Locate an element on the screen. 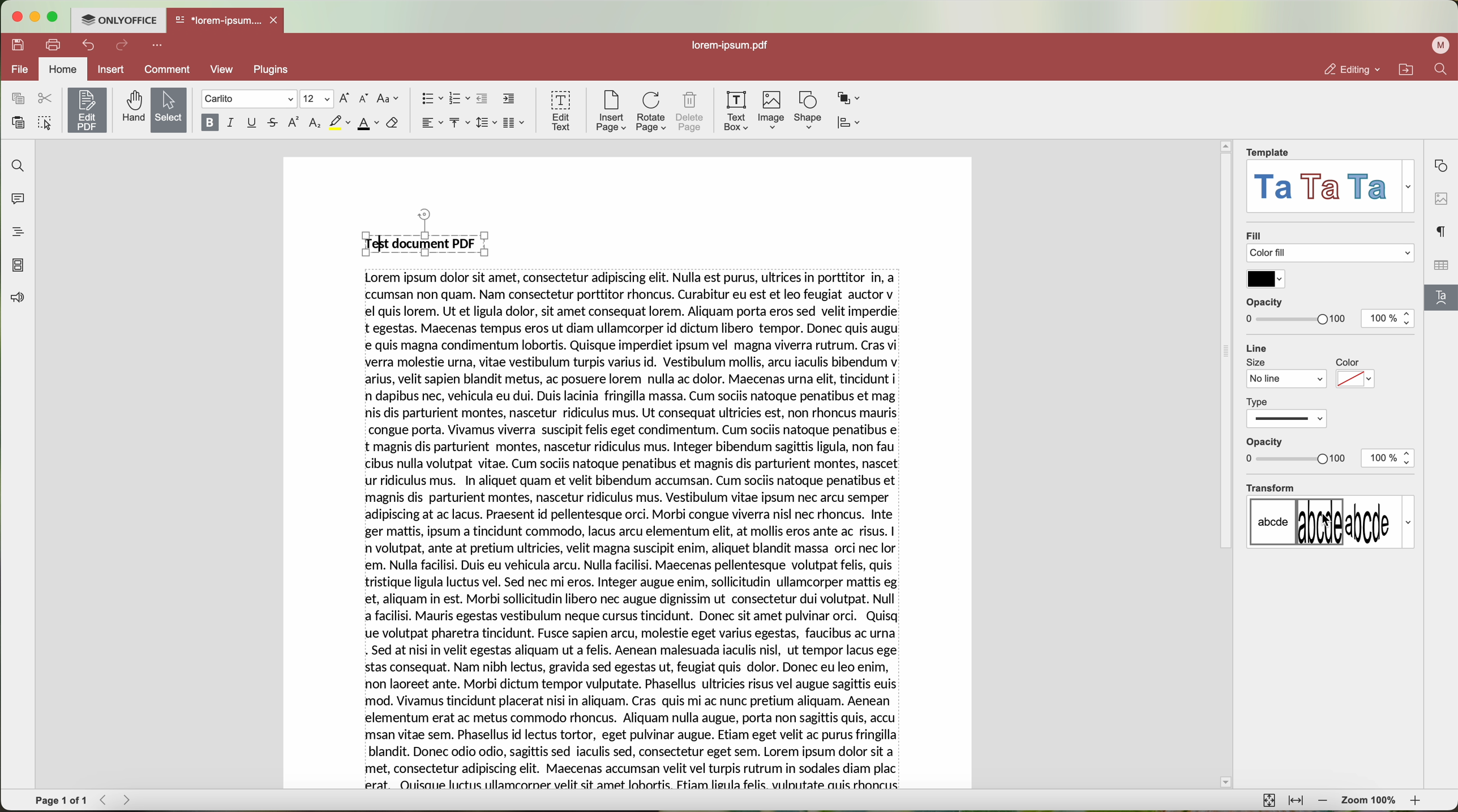  hand is located at coordinates (131, 108).